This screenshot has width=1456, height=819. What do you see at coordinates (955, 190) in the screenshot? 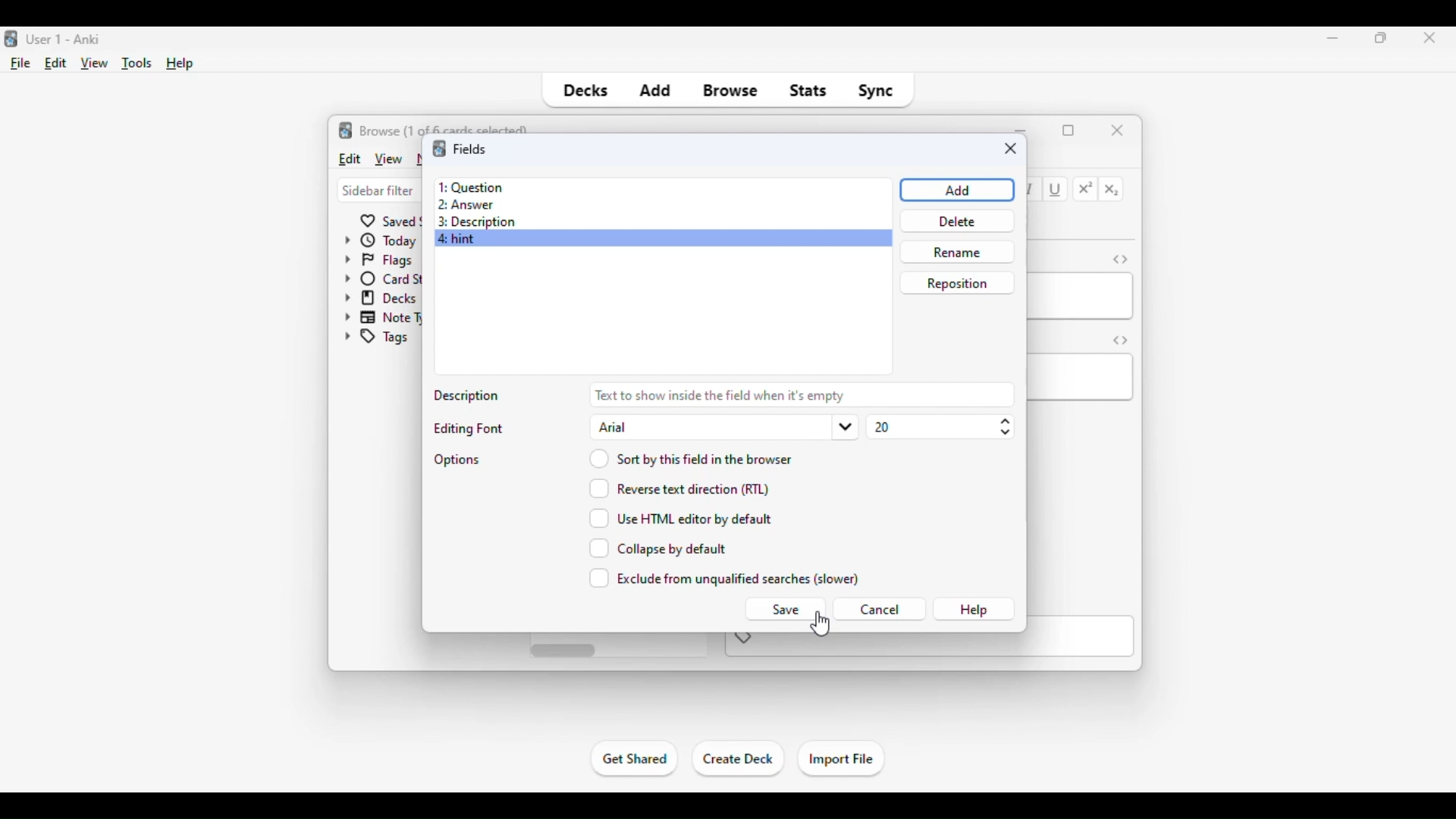
I see `Add` at bounding box center [955, 190].